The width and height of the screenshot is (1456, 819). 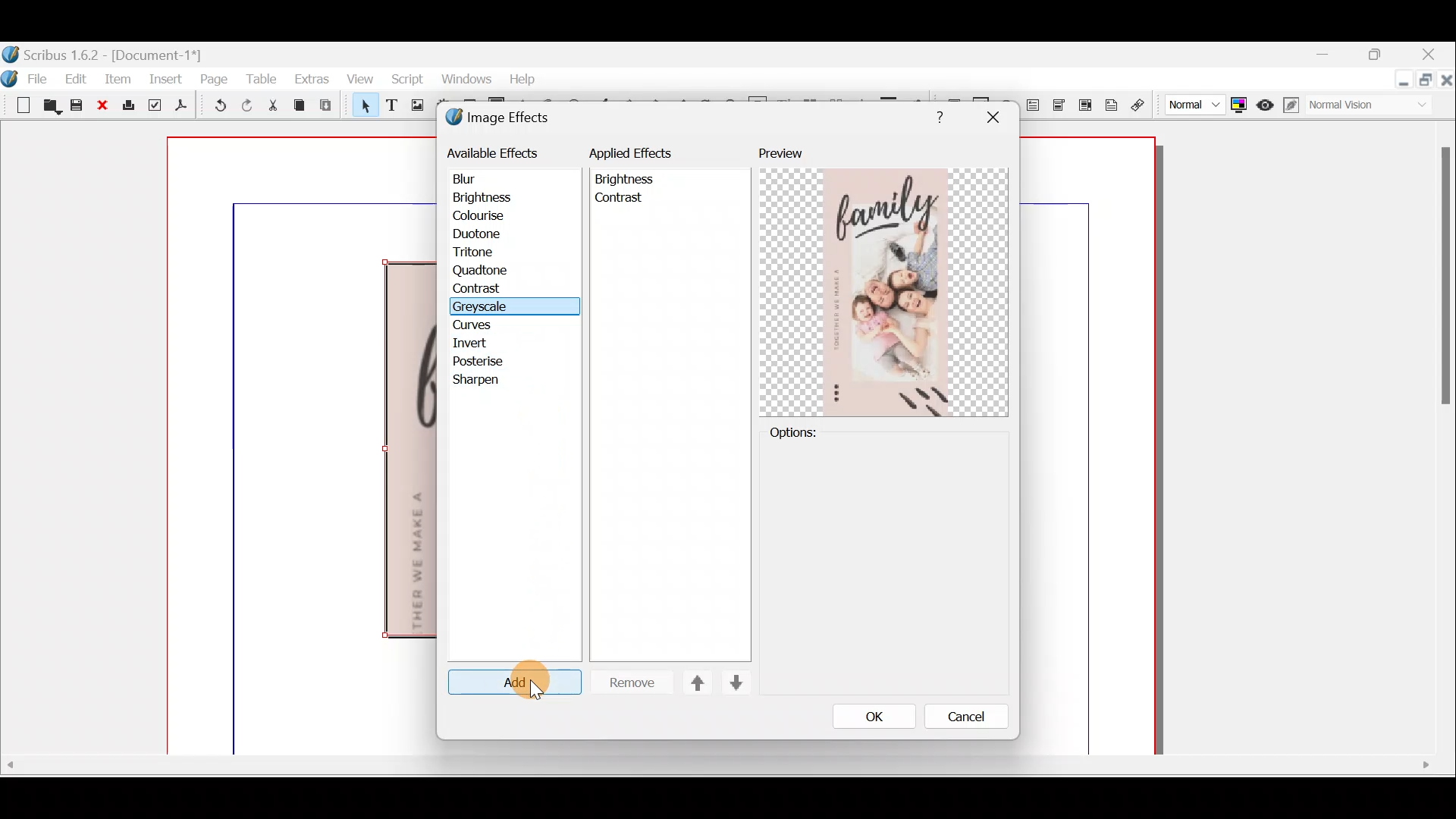 What do you see at coordinates (526, 80) in the screenshot?
I see `help` at bounding box center [526, 80].